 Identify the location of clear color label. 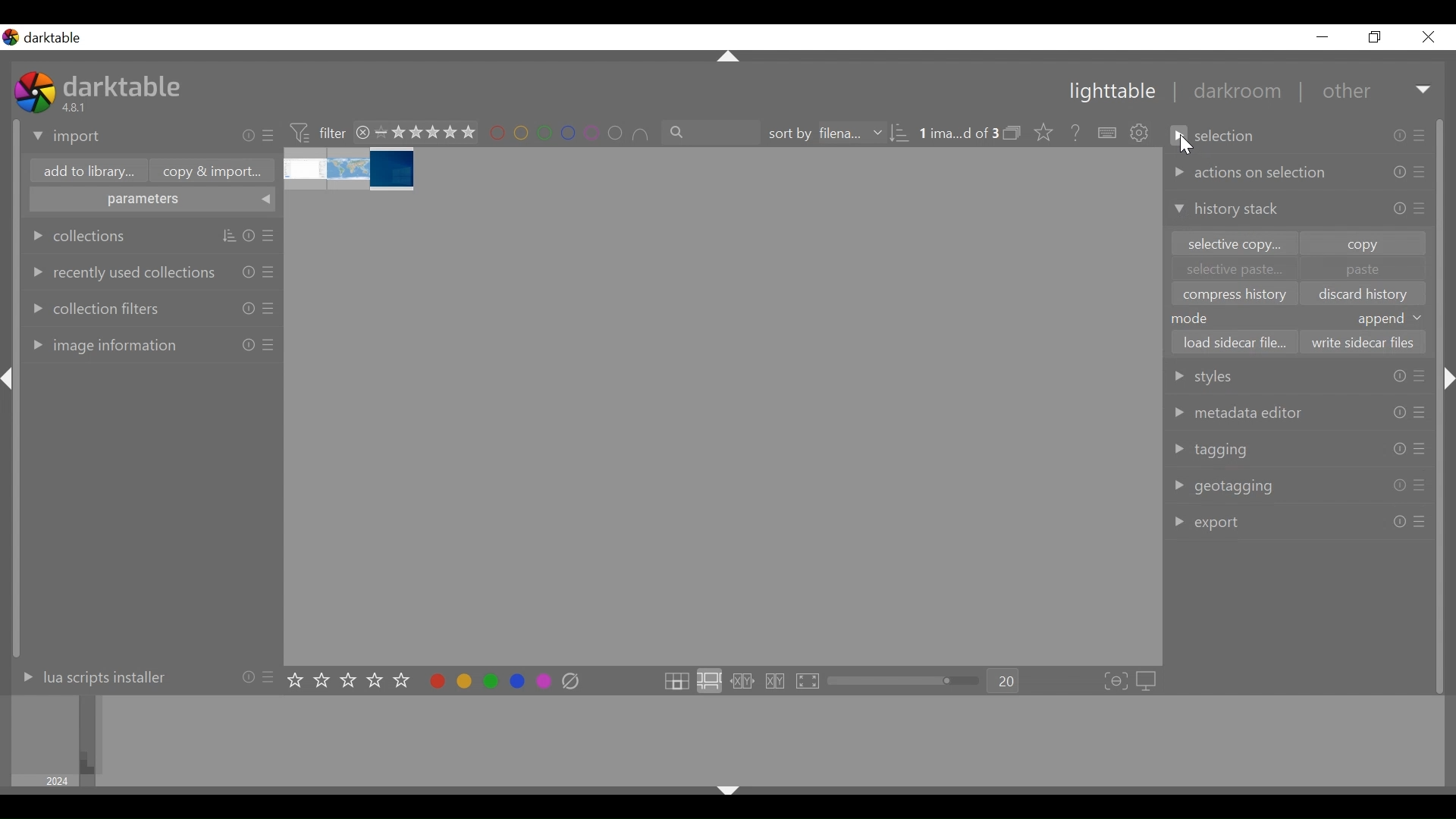
(575, 682).